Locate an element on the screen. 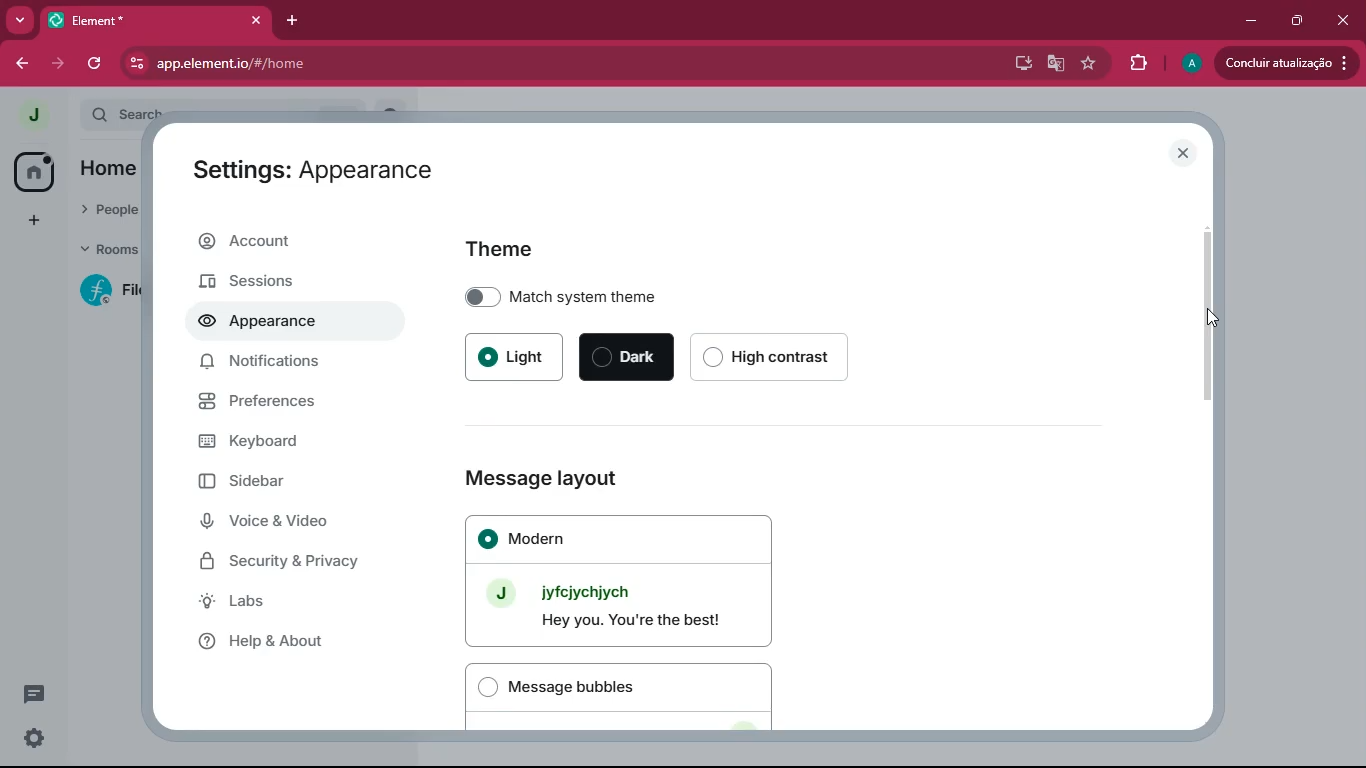 Image resolution: width=1366 pixels, height=768 pixels. google translate is located at coordinates (1054, 62).